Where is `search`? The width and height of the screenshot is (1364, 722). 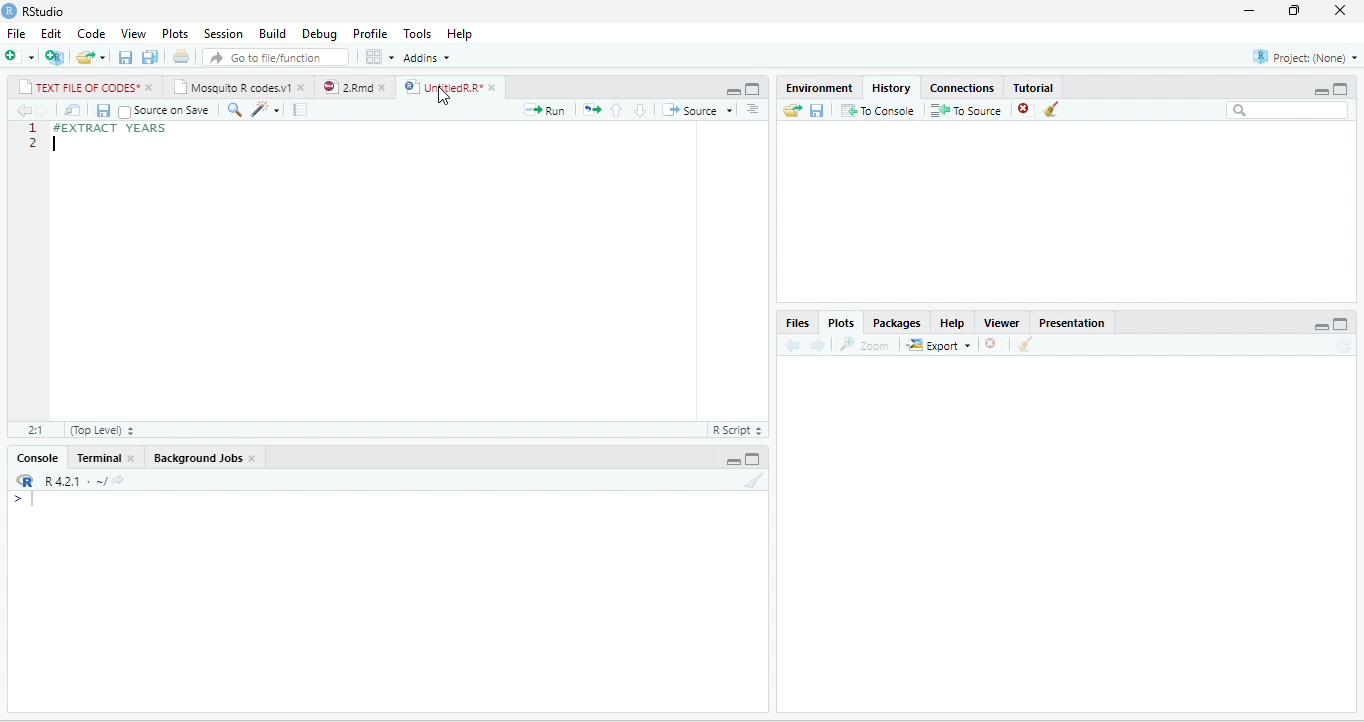 search is located at coordinates (234, 110).